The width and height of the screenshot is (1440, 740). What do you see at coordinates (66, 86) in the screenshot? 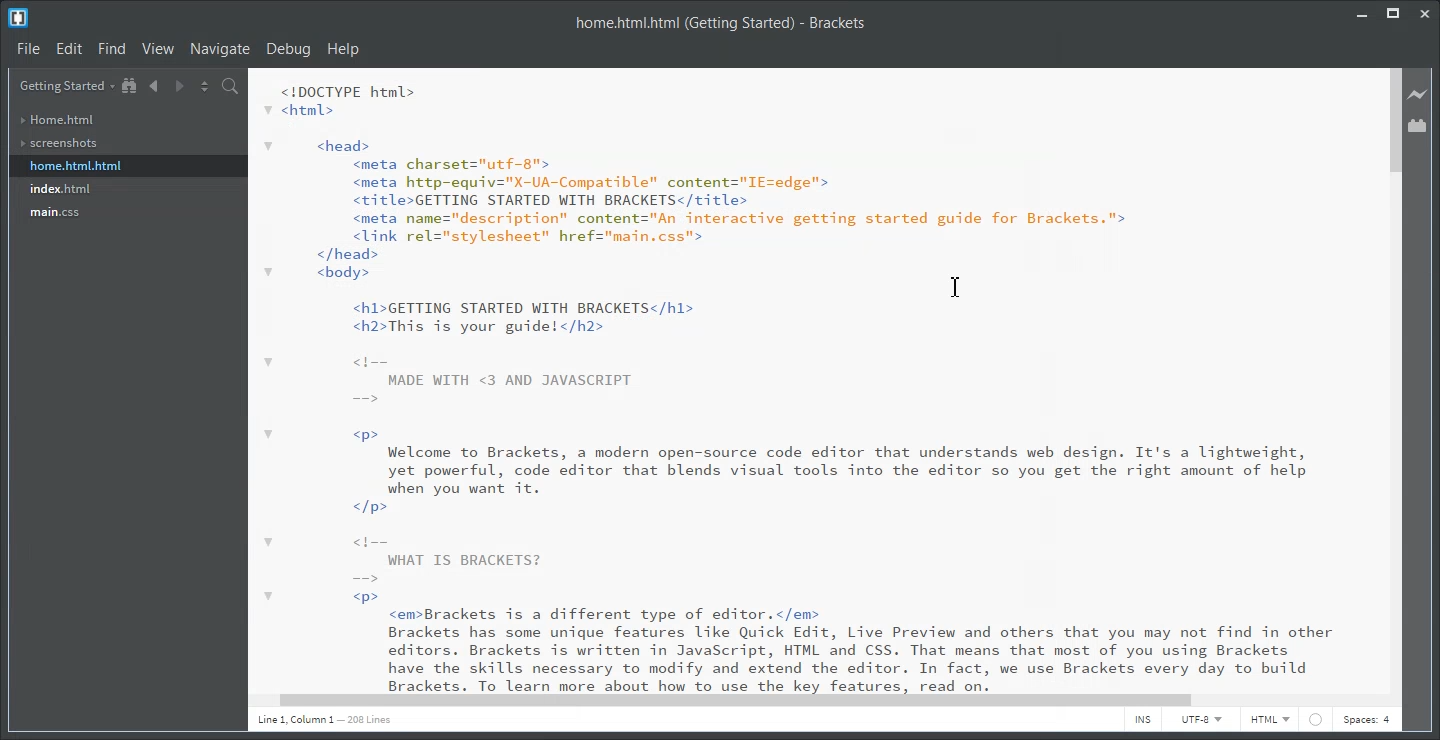
I see `Getting Started` at bounding box center [66, 86].